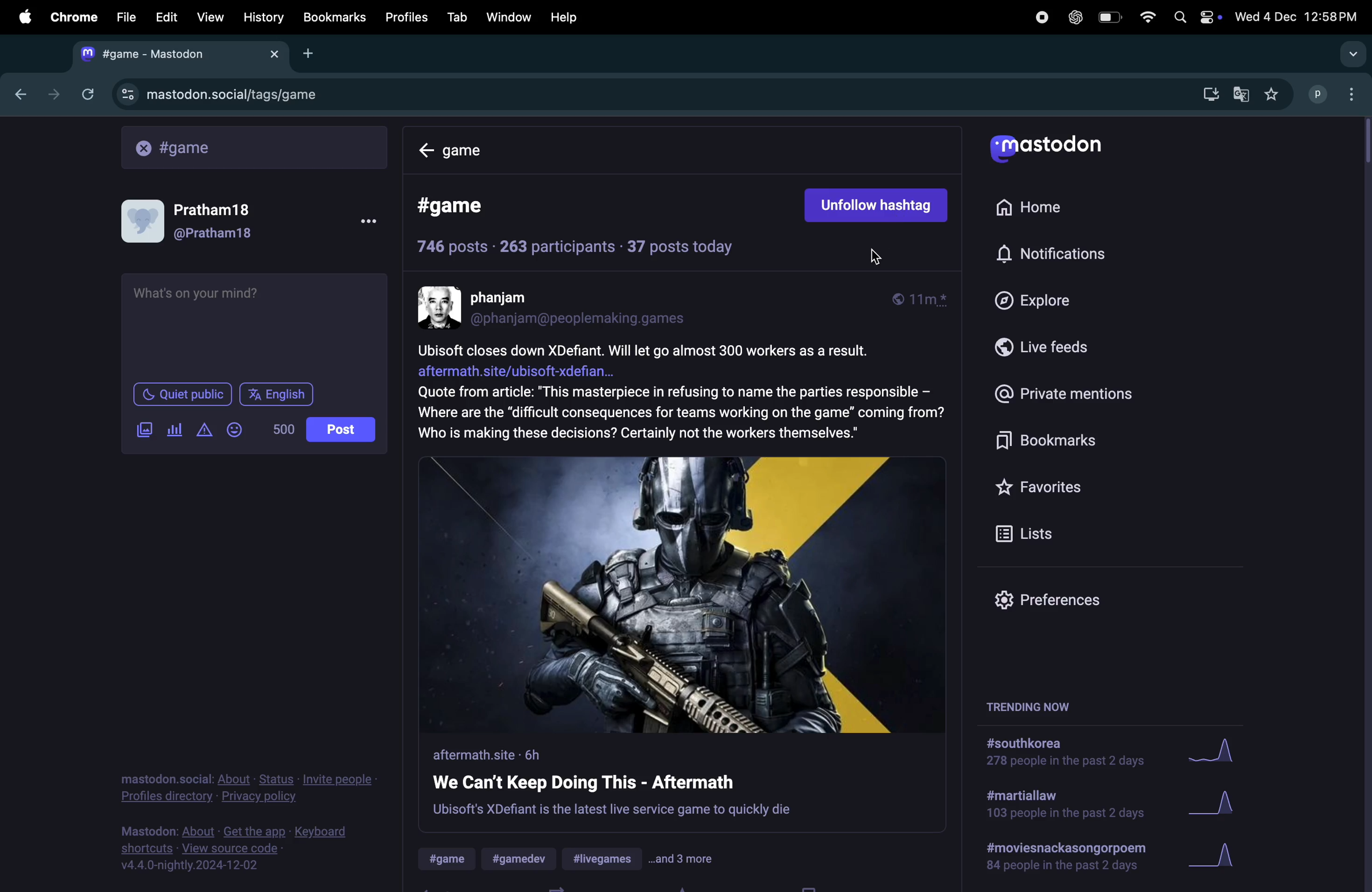  What do you see at coordinates (183, 54) in the screenshot?
I see `mastodon tab` at bounding box center [183, 54].